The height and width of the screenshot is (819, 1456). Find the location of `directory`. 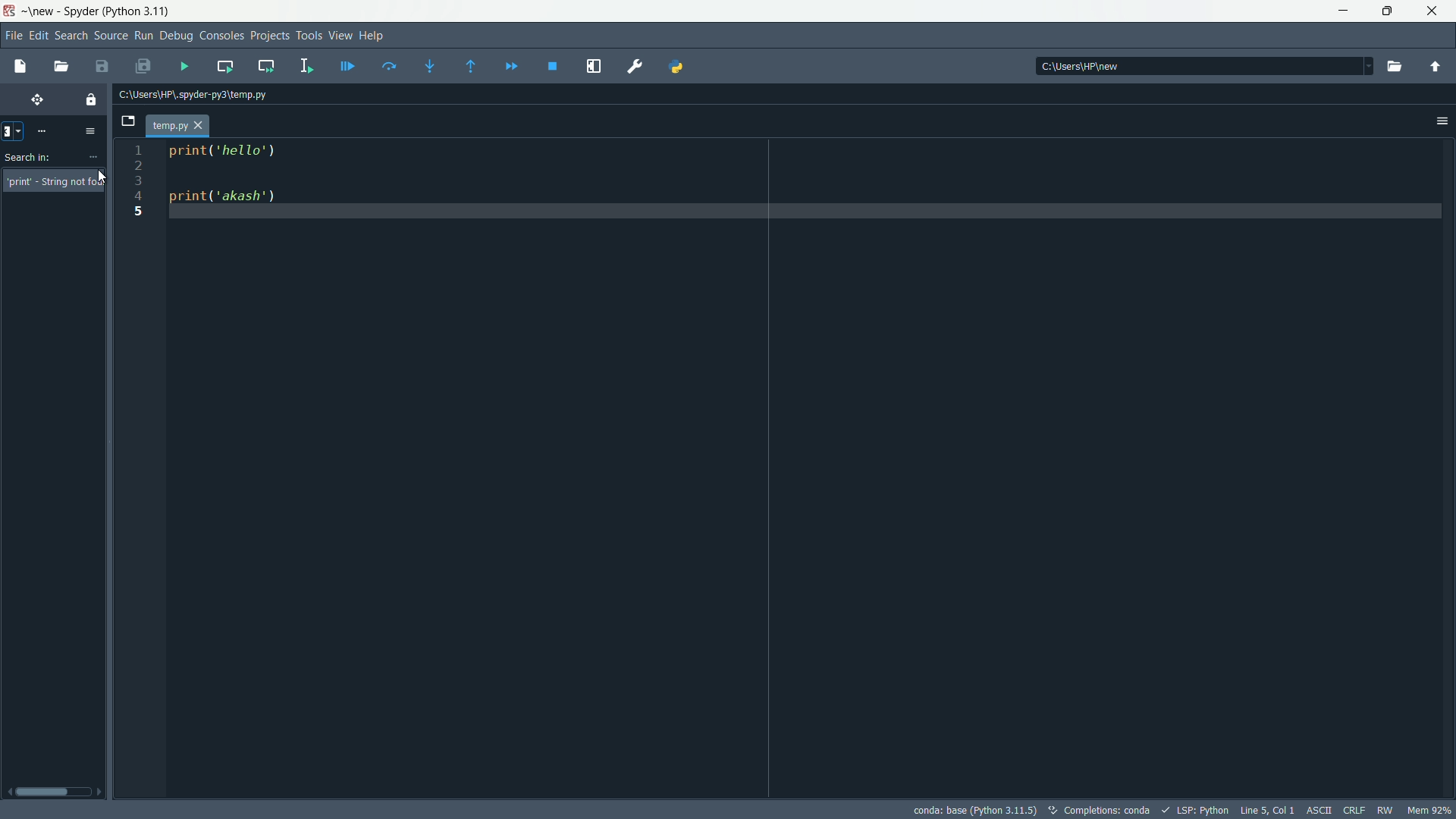

directory is located at coordinates (1203, 67).